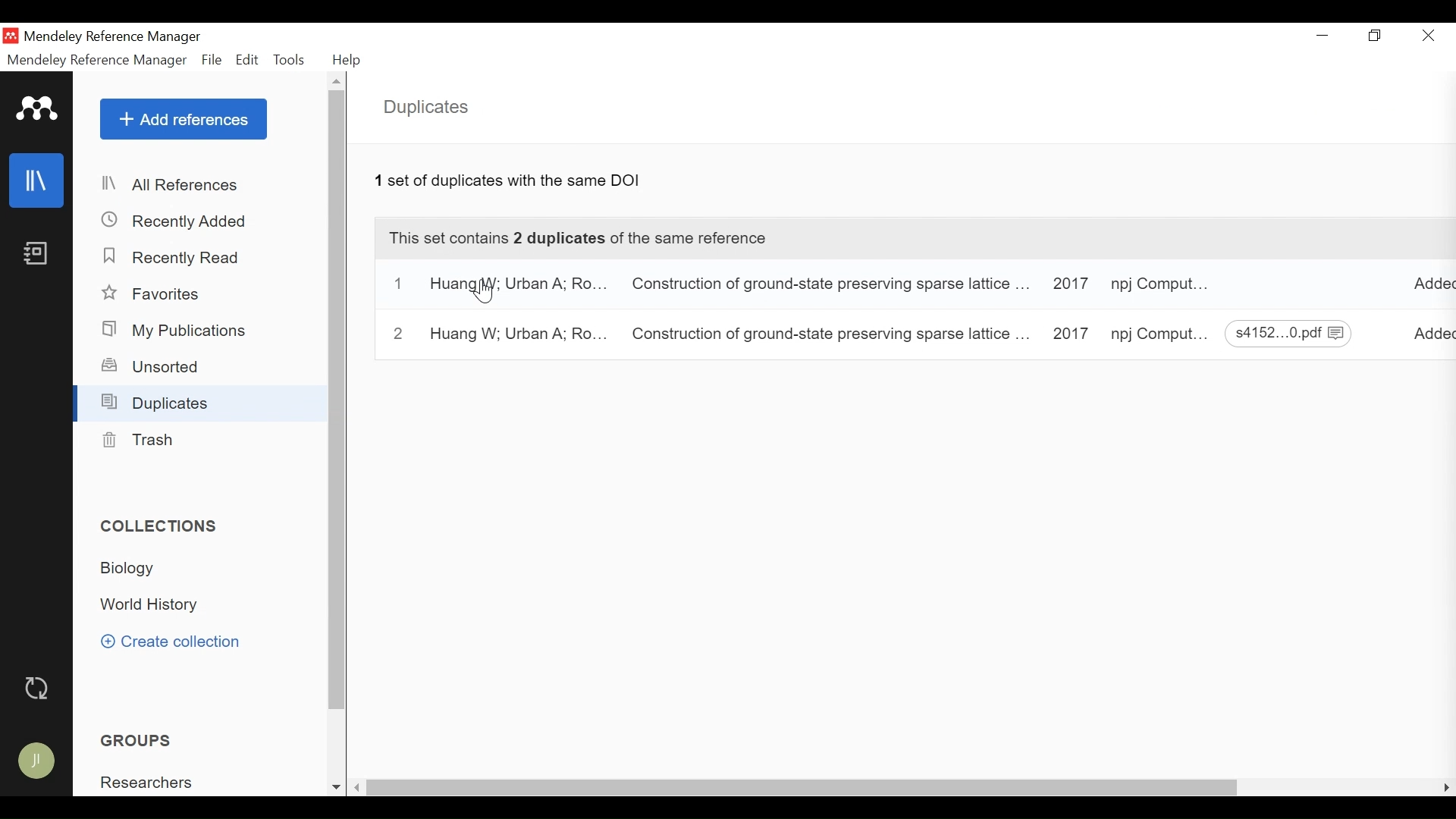  I want to click on This Set Contains 2 duplicates of the same reference, so click(912, 240).